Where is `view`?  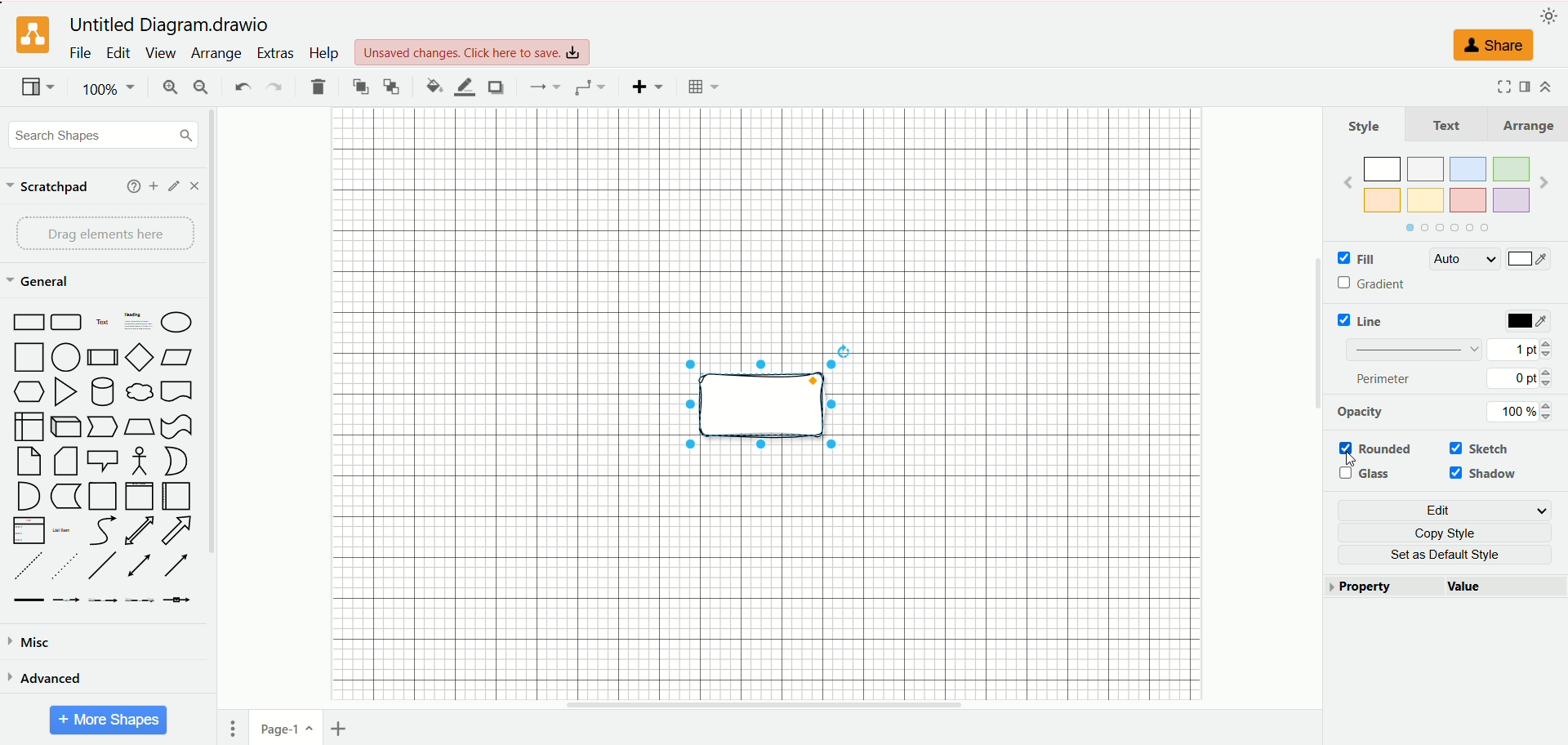
view is located at coordinates (38, 88).